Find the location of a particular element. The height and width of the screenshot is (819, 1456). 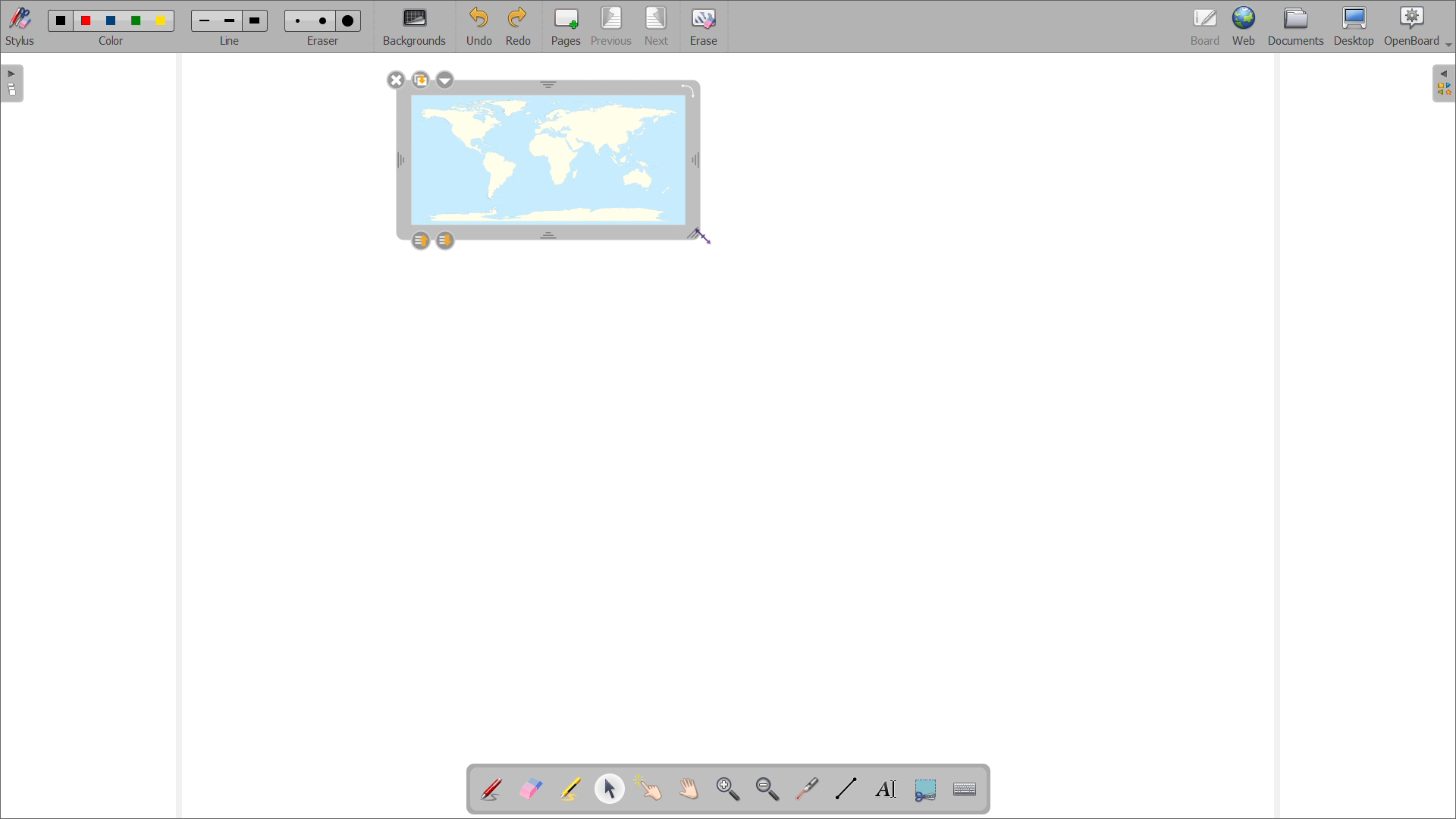

eraser is located at coordinates (322, 42).